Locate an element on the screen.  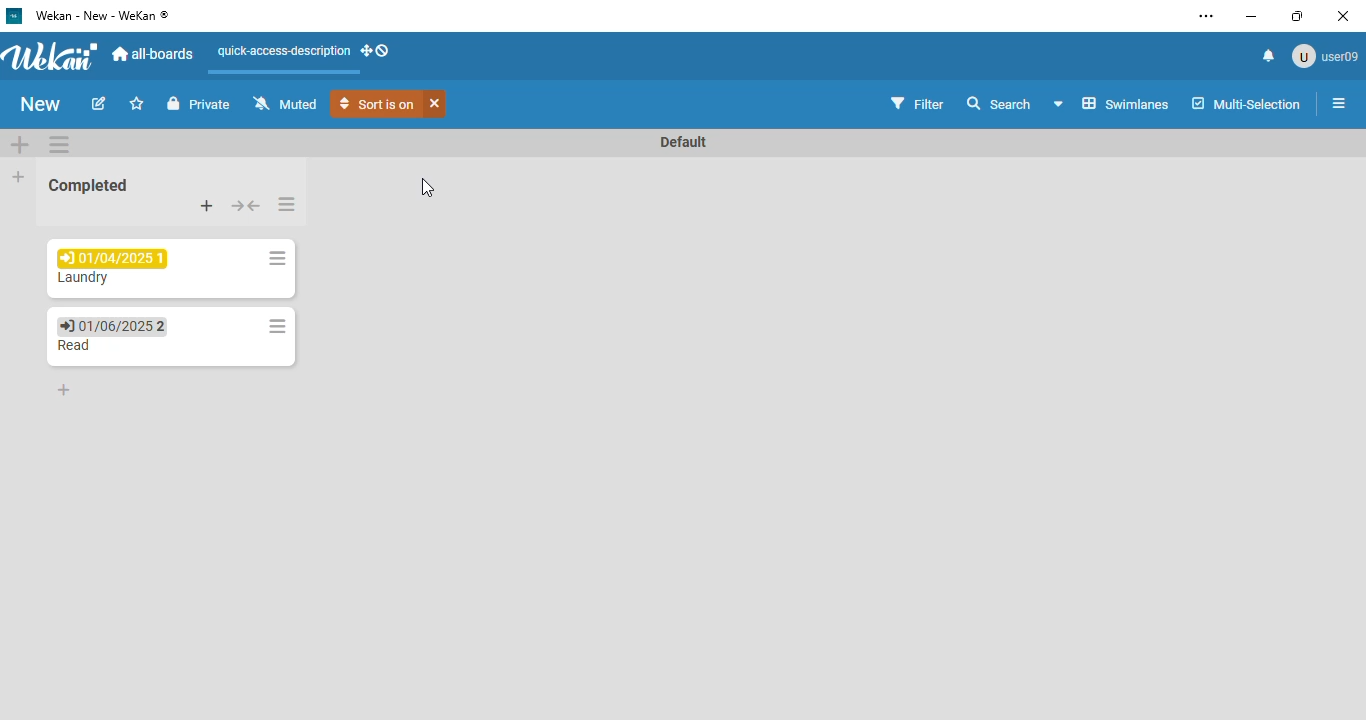
notifications is located at coordinates (1269, 56).